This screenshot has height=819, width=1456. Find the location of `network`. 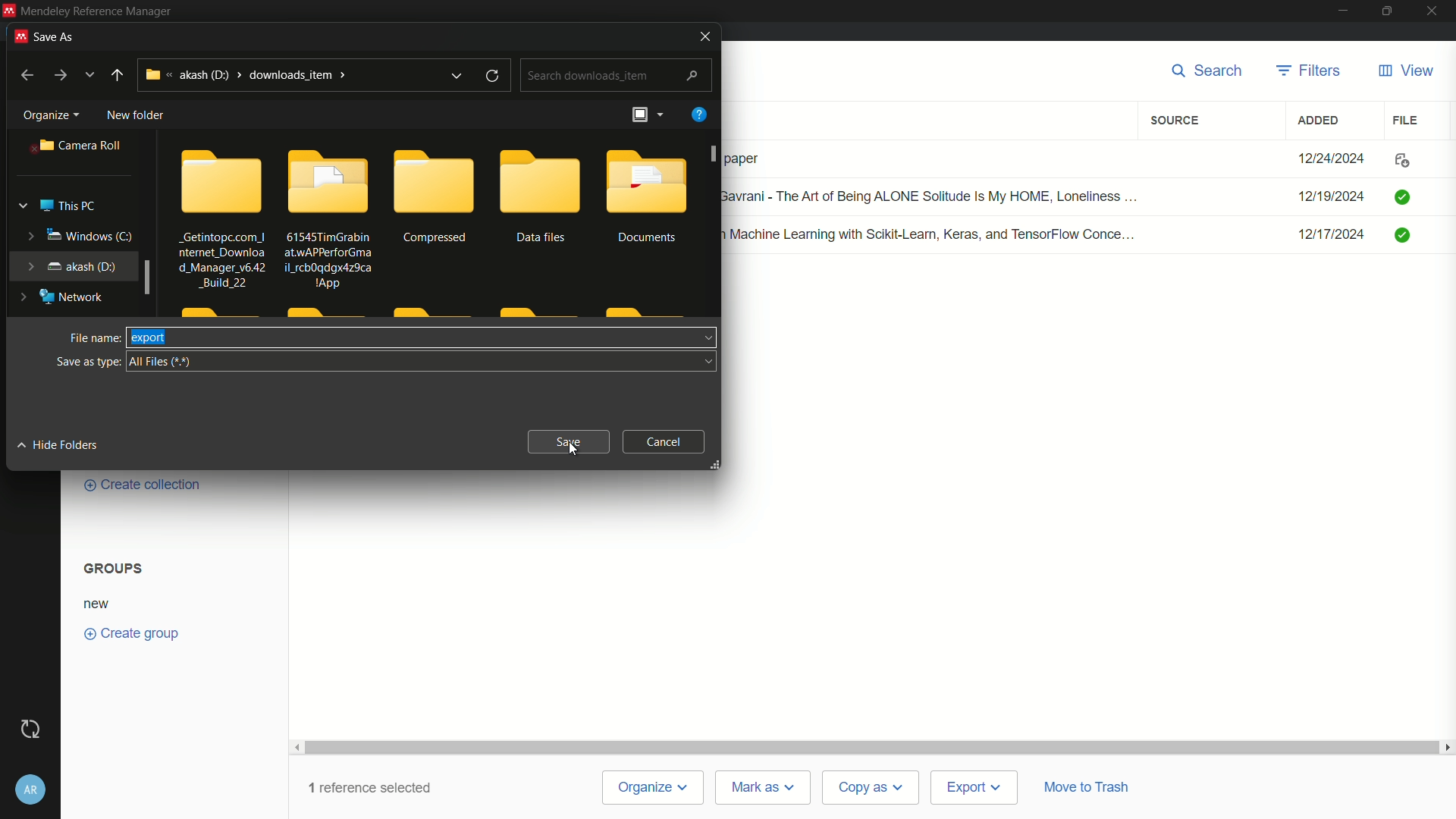

network is located at coordinates (59, 298).